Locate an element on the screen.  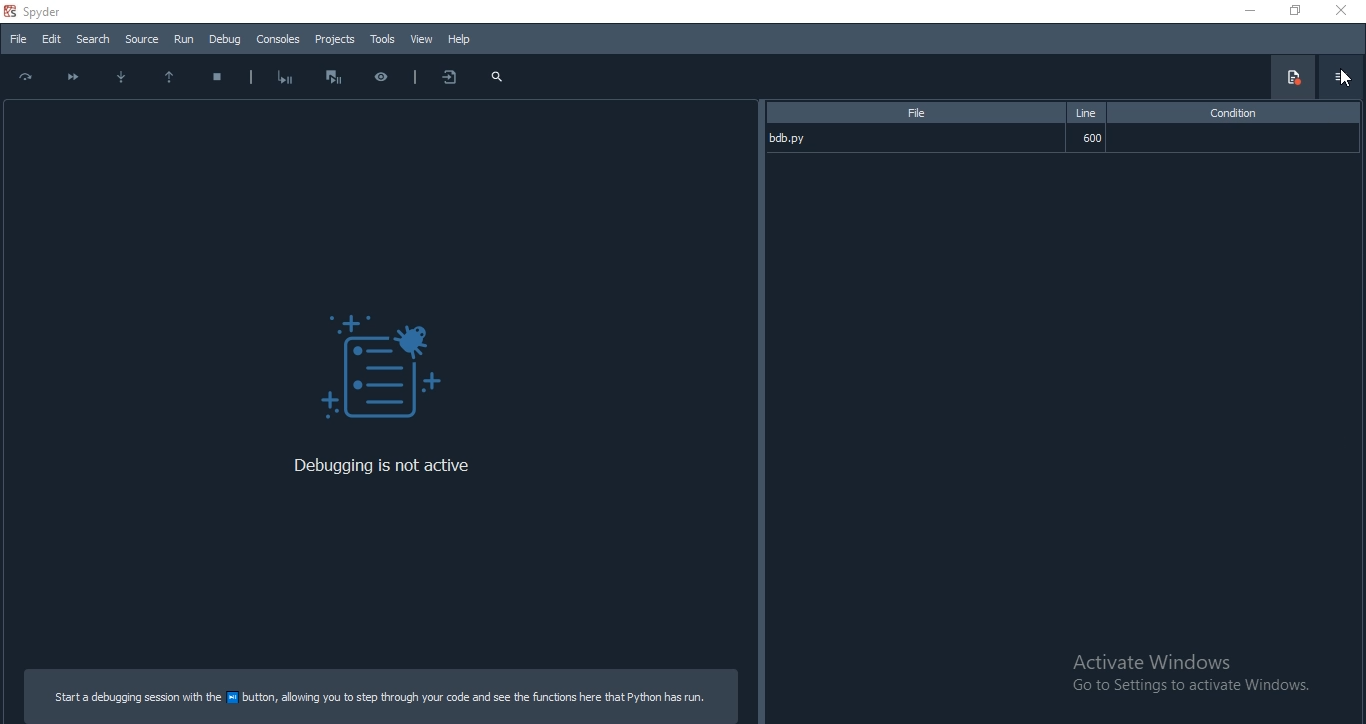
Inspect execution is located at coordinates (380, 77).